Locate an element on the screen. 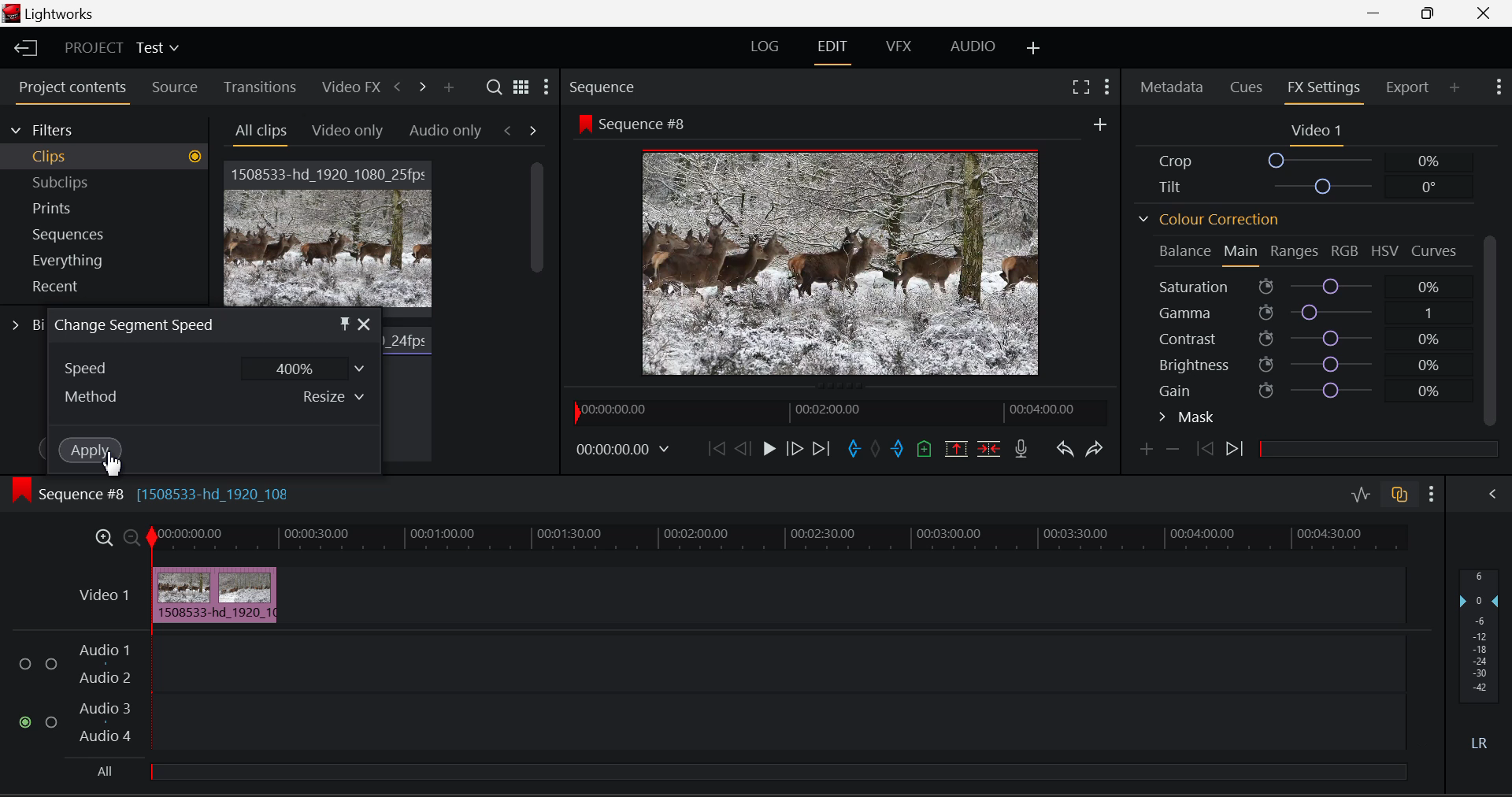  Search is located at coordinates (492, 87).